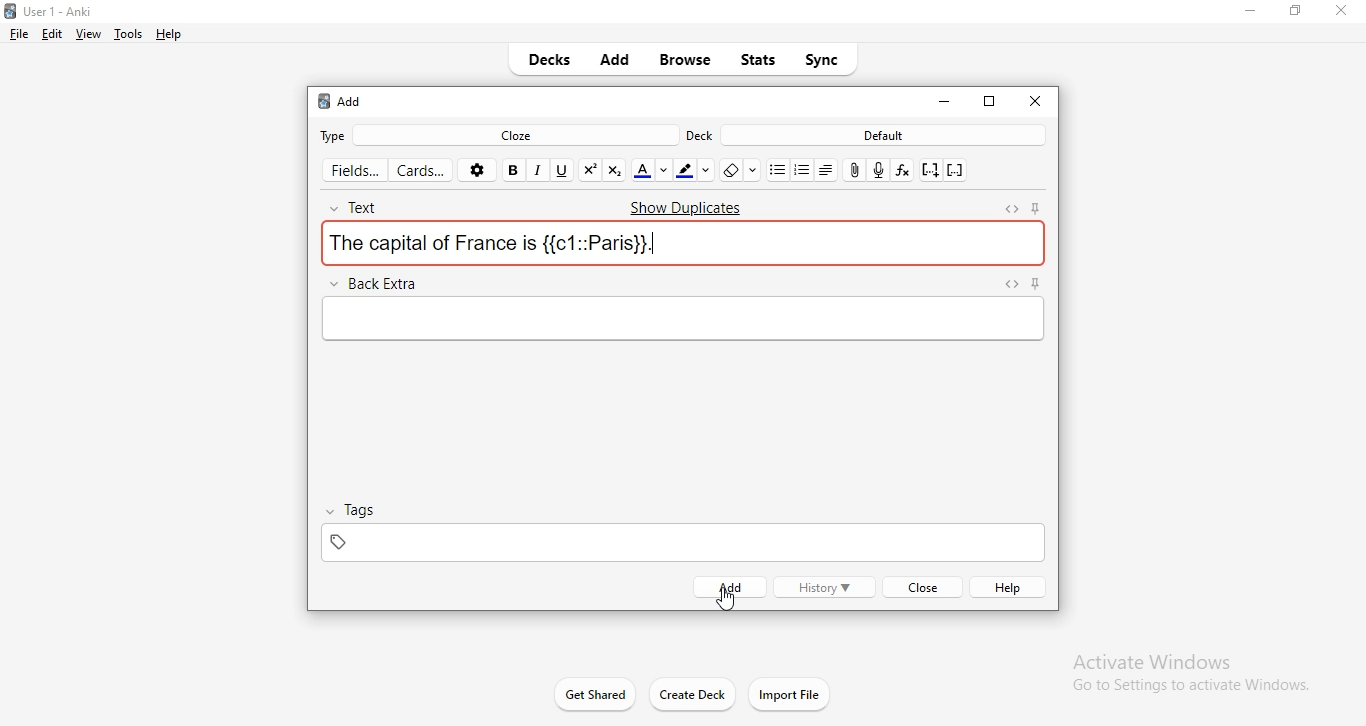  What do you see at coordinates (22, 35) in the screenshot?
I see `file` at bounding box center [22, 35].